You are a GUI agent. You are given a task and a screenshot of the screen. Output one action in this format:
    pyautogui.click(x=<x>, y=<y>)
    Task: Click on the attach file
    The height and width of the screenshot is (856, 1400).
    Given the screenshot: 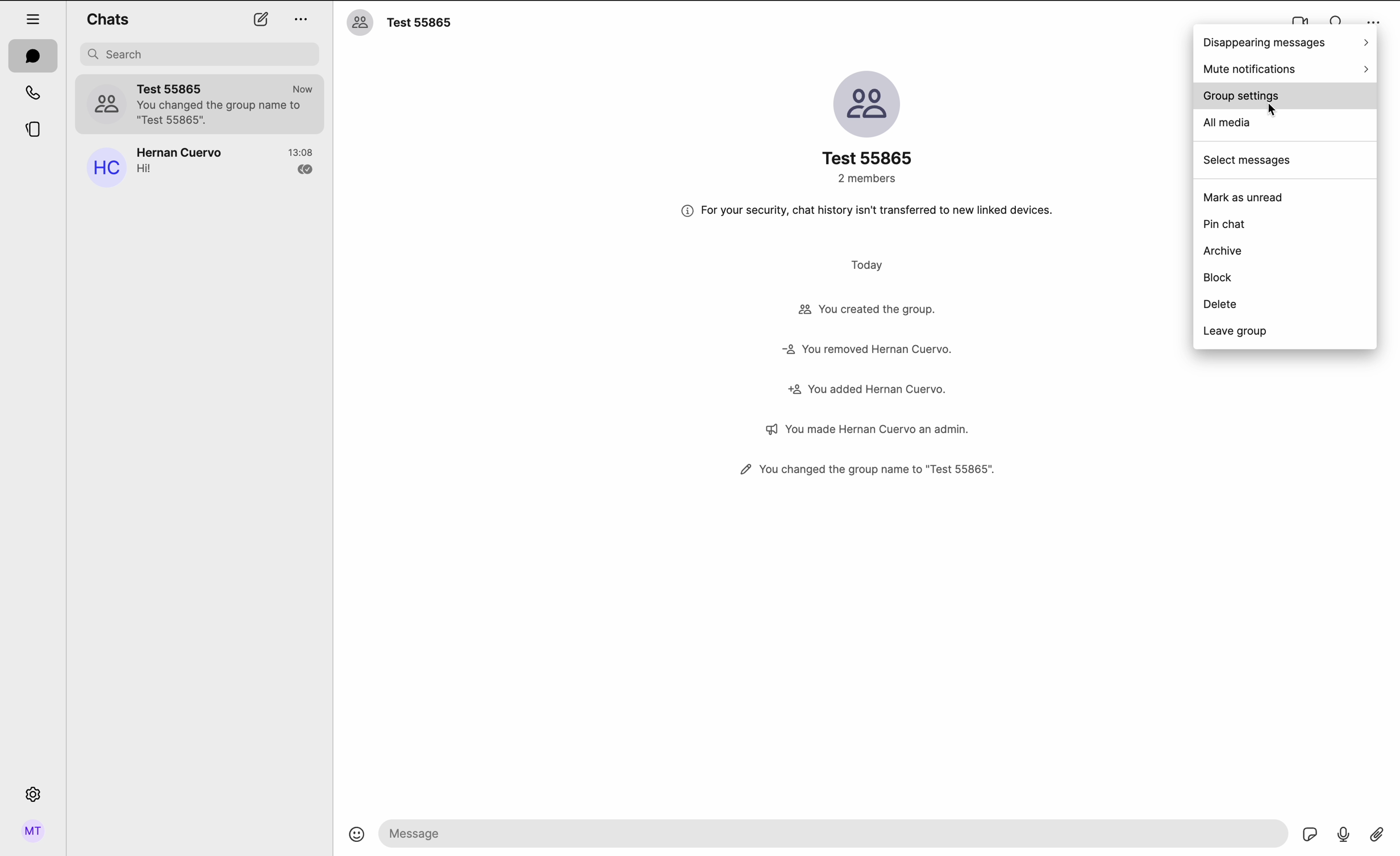 What is the action you would take?
    pyautogui.click(x=1377, y=837)
    